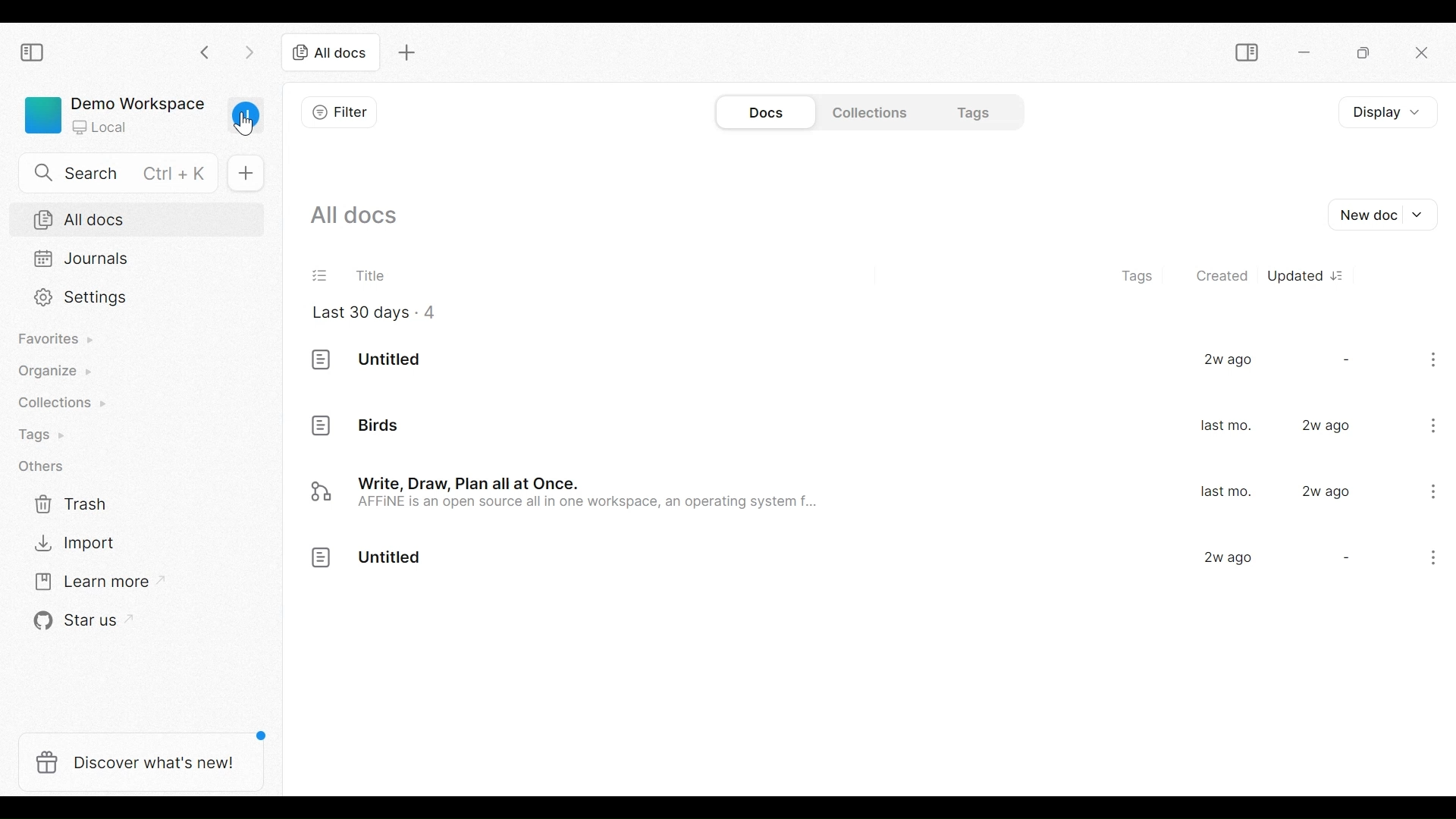 Image resolution: width=1456 pixels, height=819 pixels. I want to click on Tags, so click(49, 434).